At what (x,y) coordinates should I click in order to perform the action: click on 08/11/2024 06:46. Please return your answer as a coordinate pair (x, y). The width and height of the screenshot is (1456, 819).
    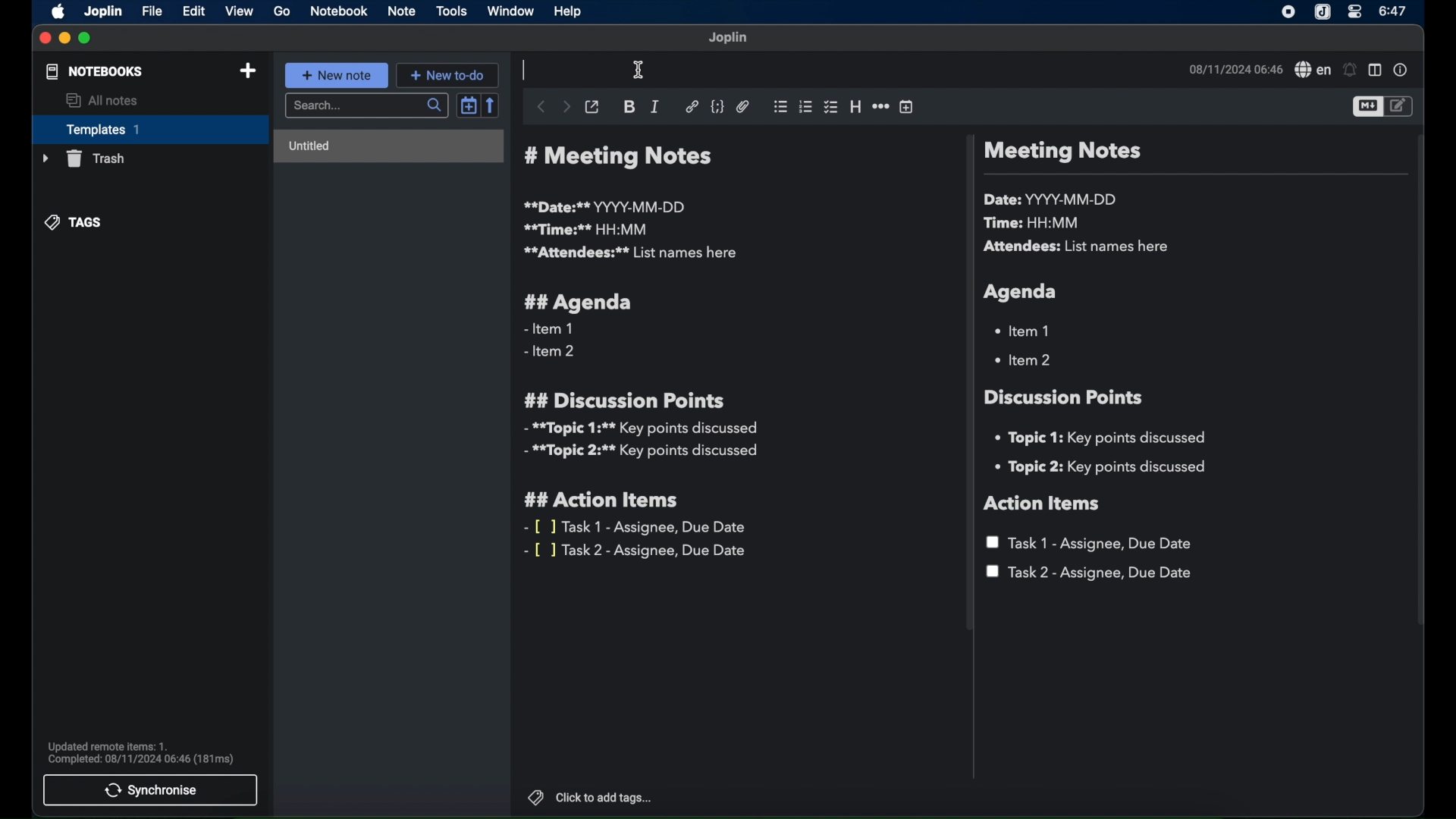
    Looking at the image, I should click on (1234, 69).